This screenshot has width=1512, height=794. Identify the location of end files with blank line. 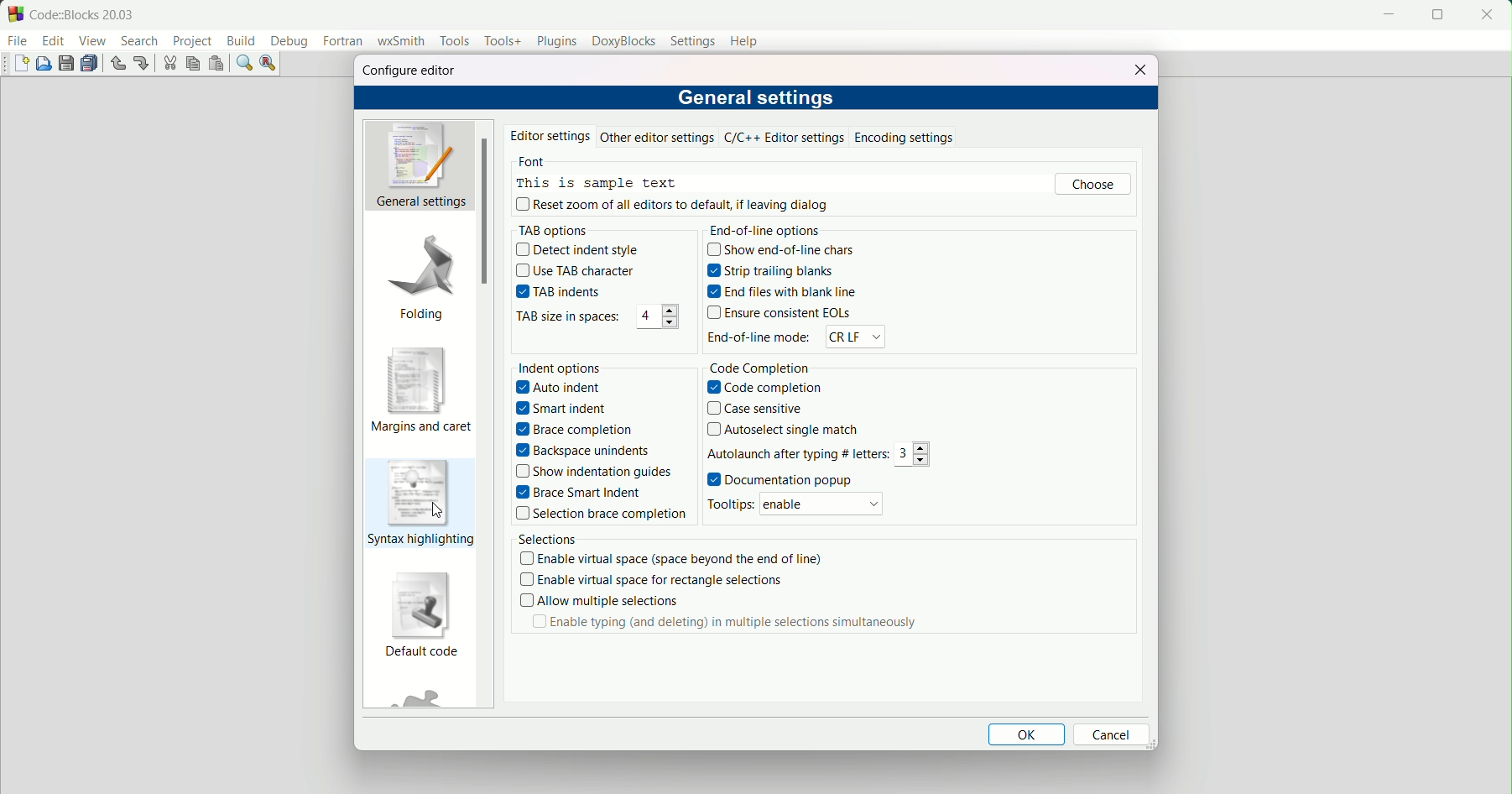
(783, 290).